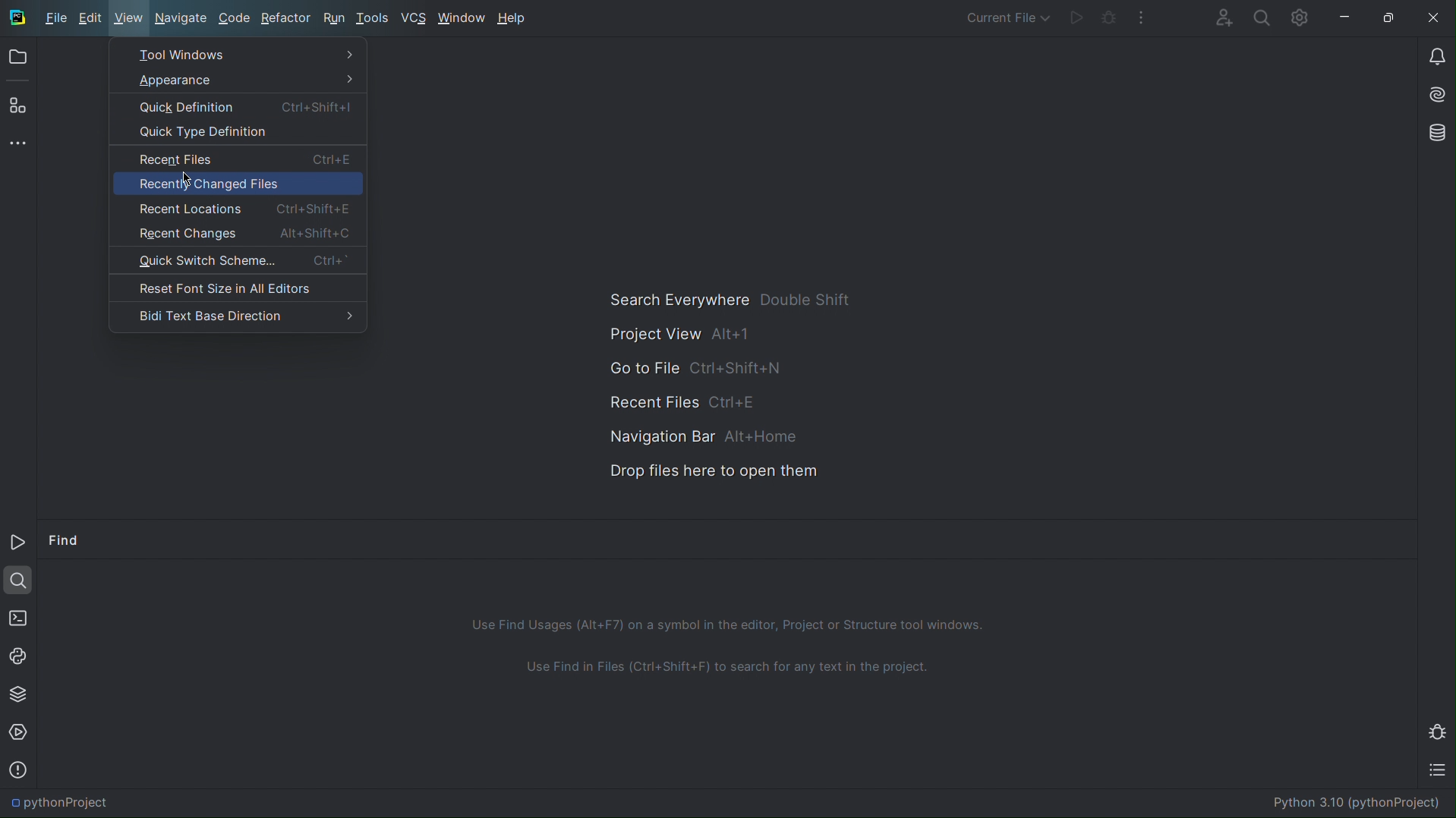 This screenshot has height=818, width=1456. Describe the element at coordinates (65, 543) in the screenshot. I see `Find` at that location.